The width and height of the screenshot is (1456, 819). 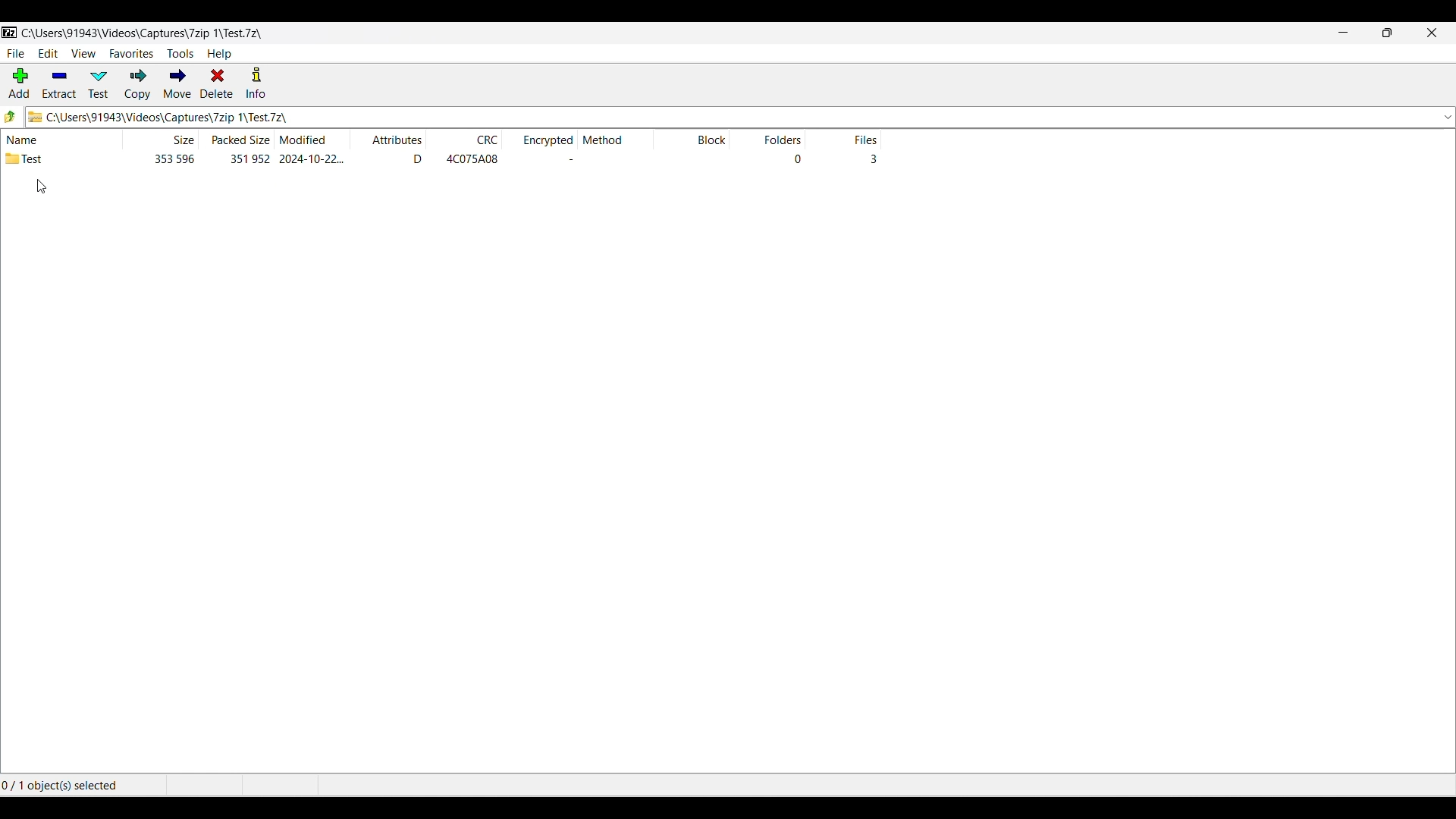 What do you see at coordinates (149, 33) in the screenshot?
I see `C\:Users\91943\Videos\Captures\7zip\ 1\Test.7z\` at bounding box center [149, 33].